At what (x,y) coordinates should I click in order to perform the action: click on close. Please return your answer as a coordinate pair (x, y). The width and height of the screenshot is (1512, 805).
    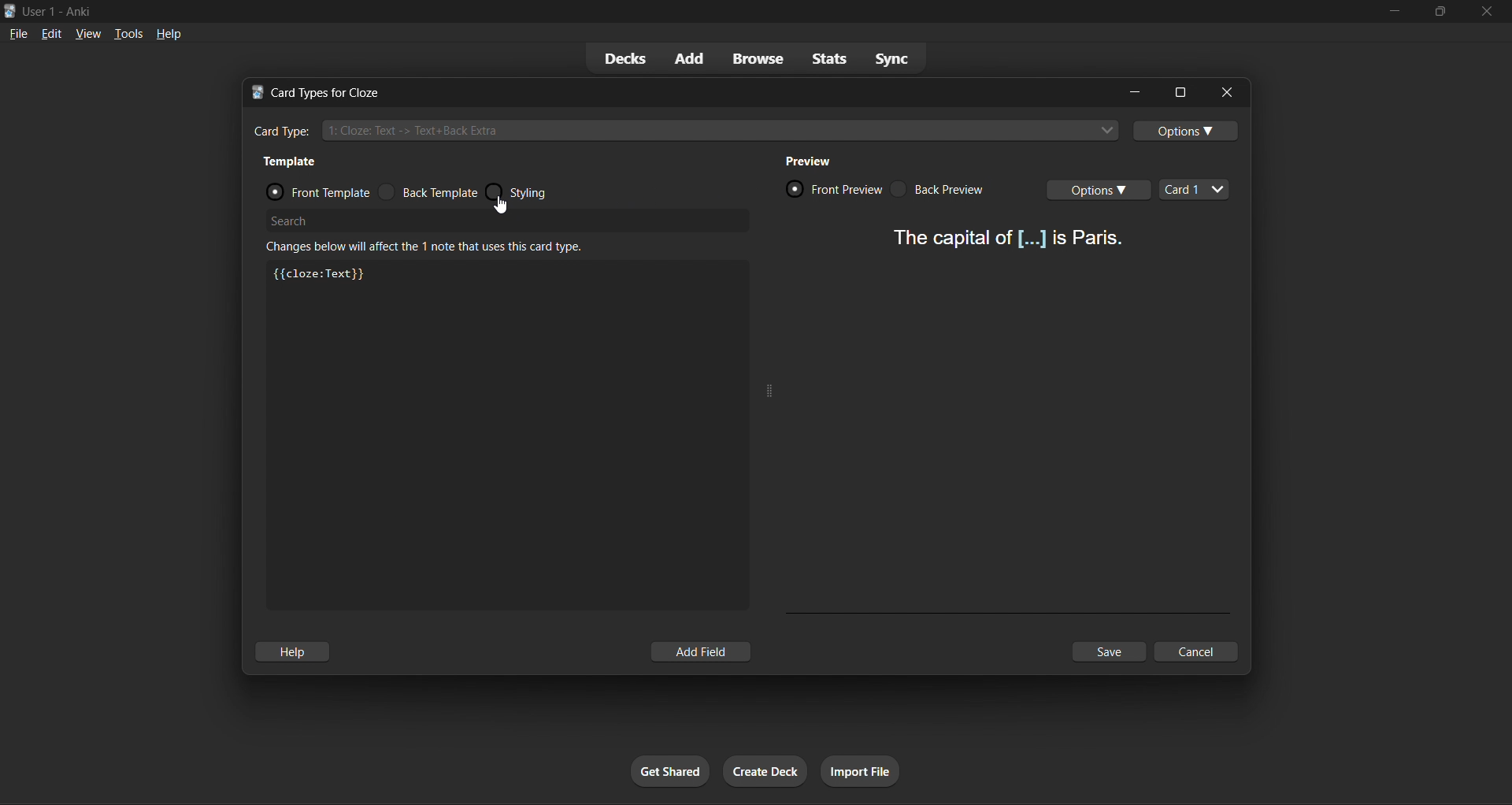
    Looking at the image, I should click on (1220, 92).